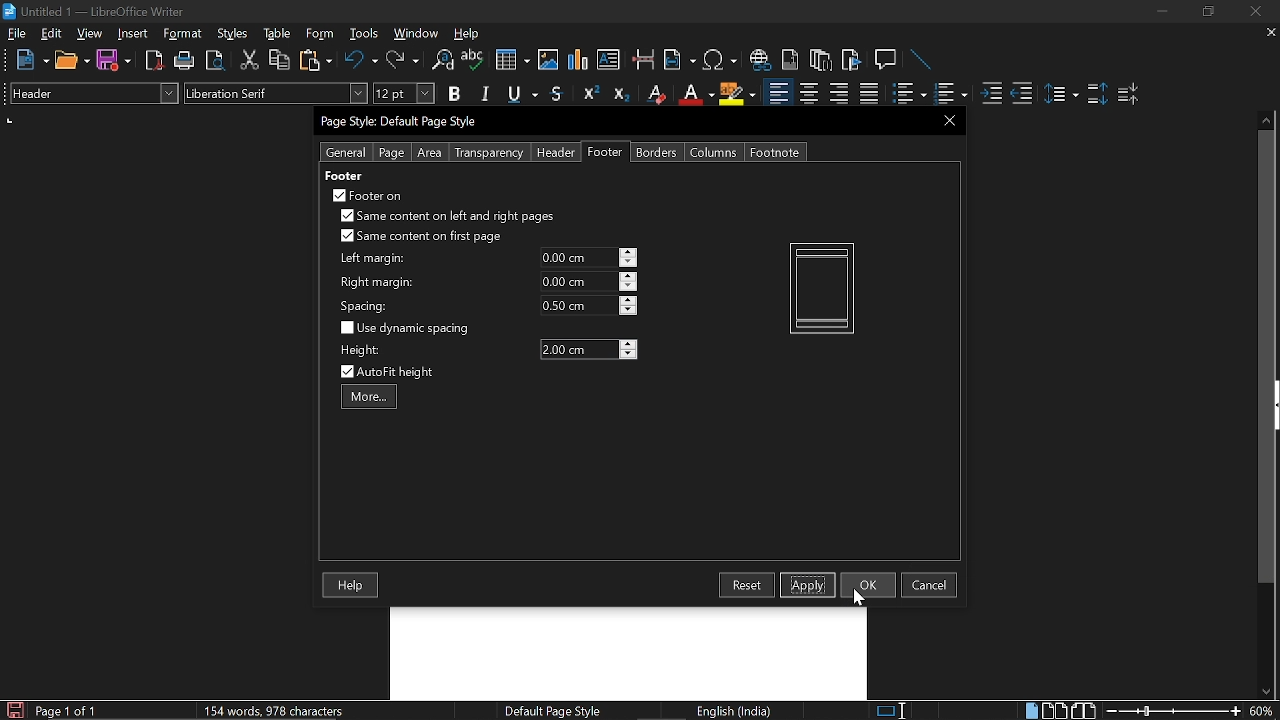  What do you see at coordinates (1254, 12) in the screenshot?
I see `Close` at bounding box center [1254, 12].